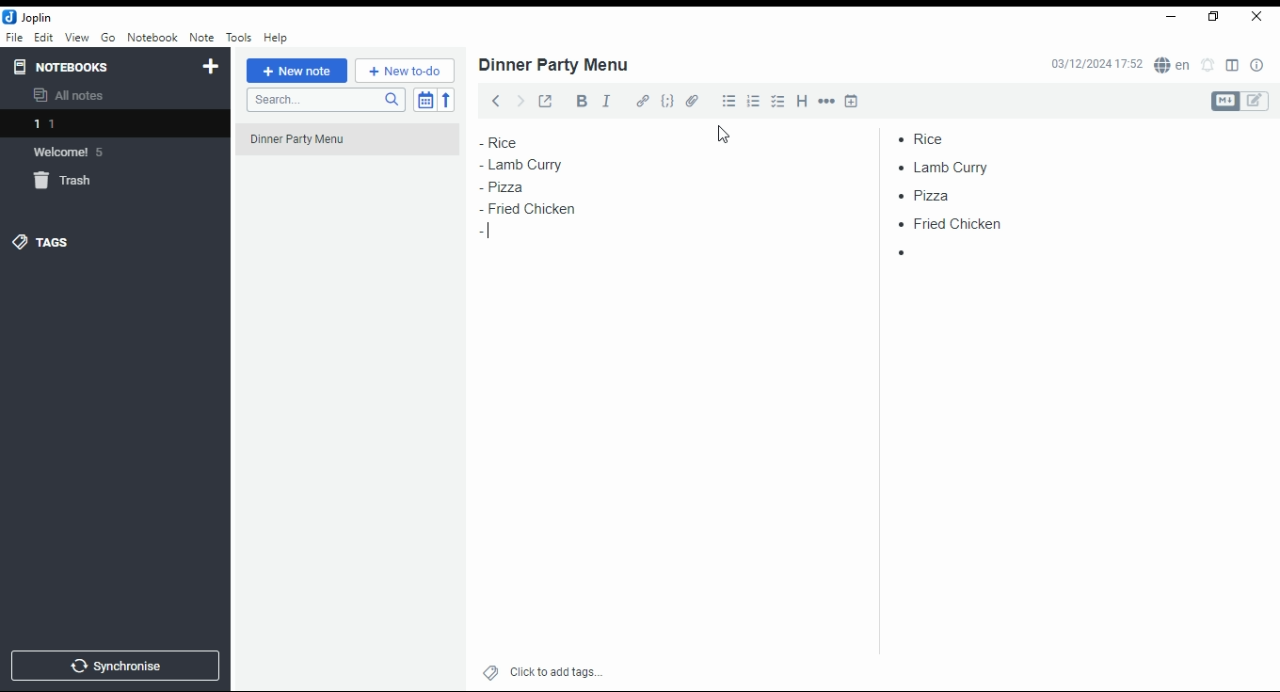 This screenshot has width=1280, height=692. Describe the element at coordinates (607, 100) in the screenshot. I see `italics` at that location.